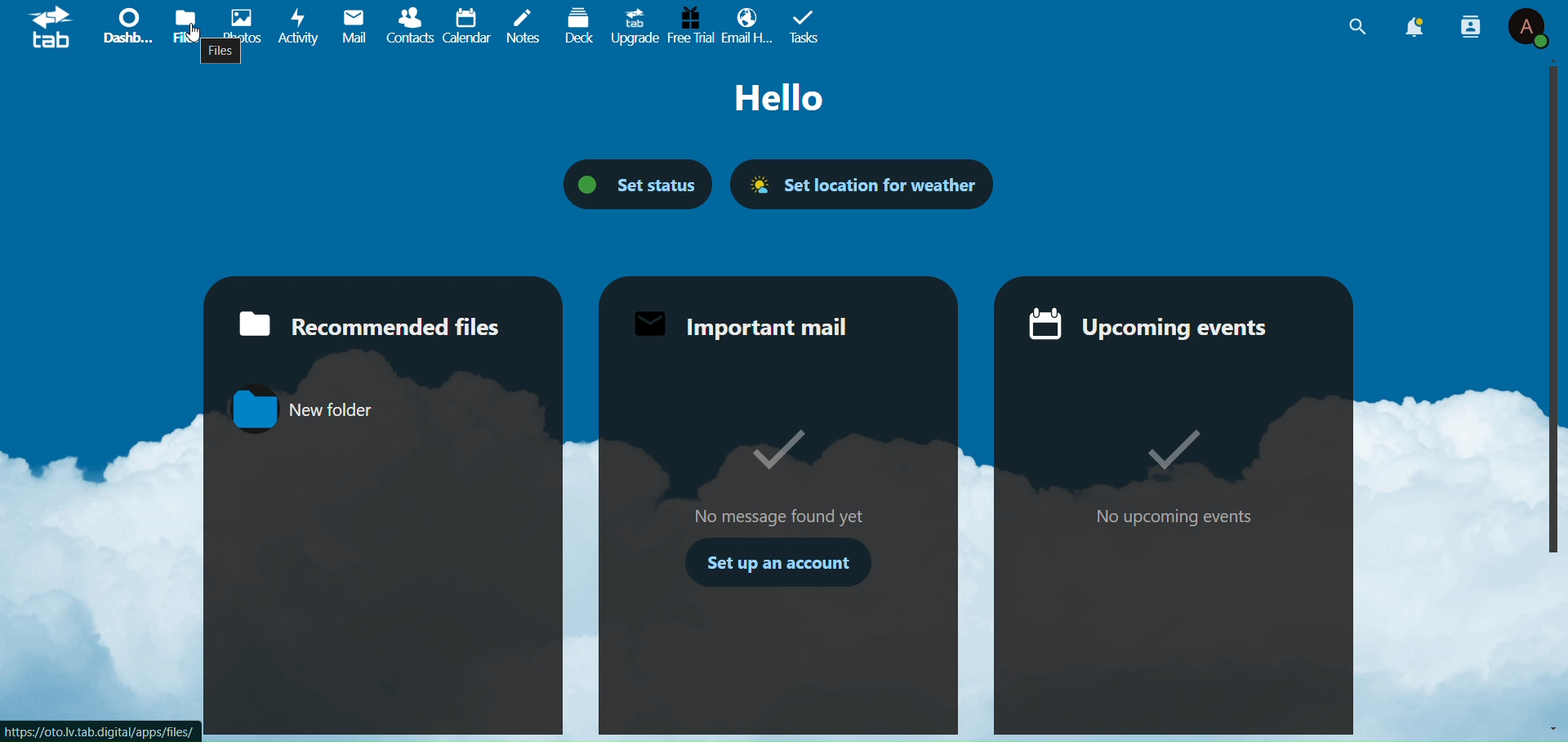  Describe the element at coordinates (354, 25) in the screenshot. I see `Mail` at that location.